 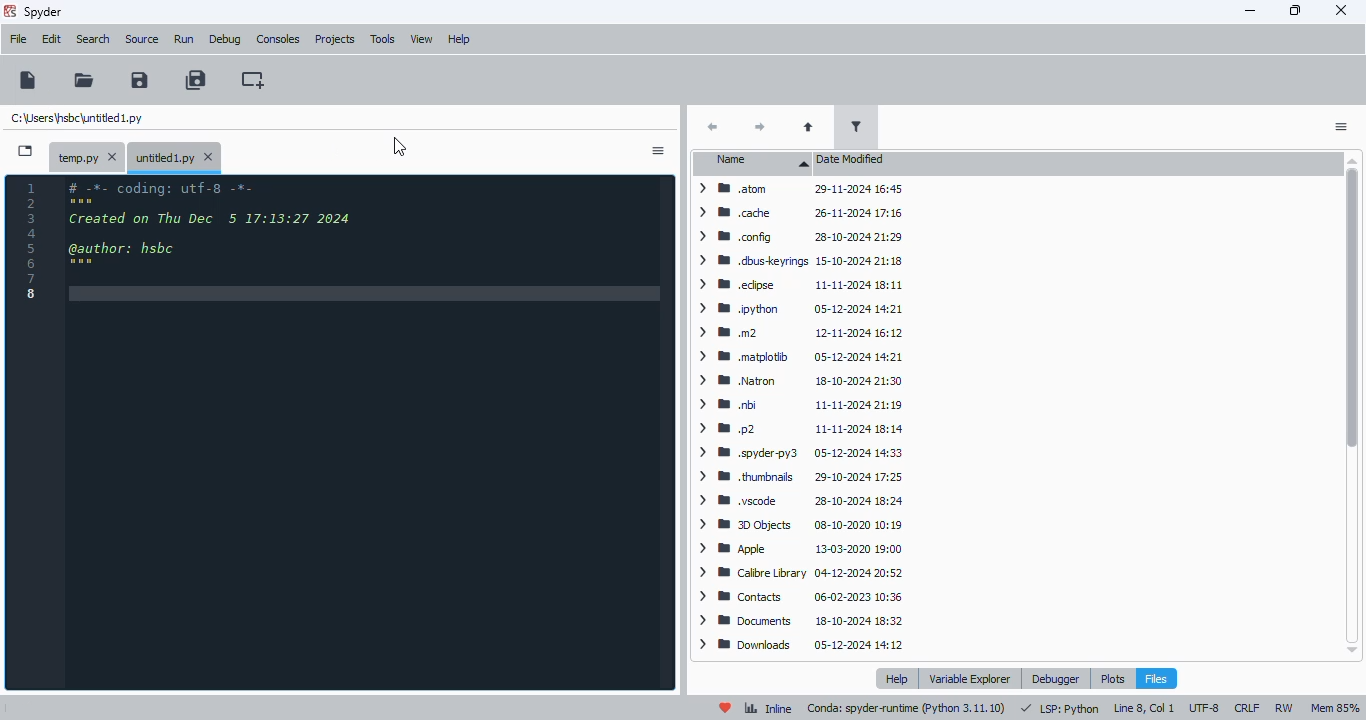 What do you see at coordinates (755, 163) in the screenshot?
I see `name` at bounding box center [755, 163].